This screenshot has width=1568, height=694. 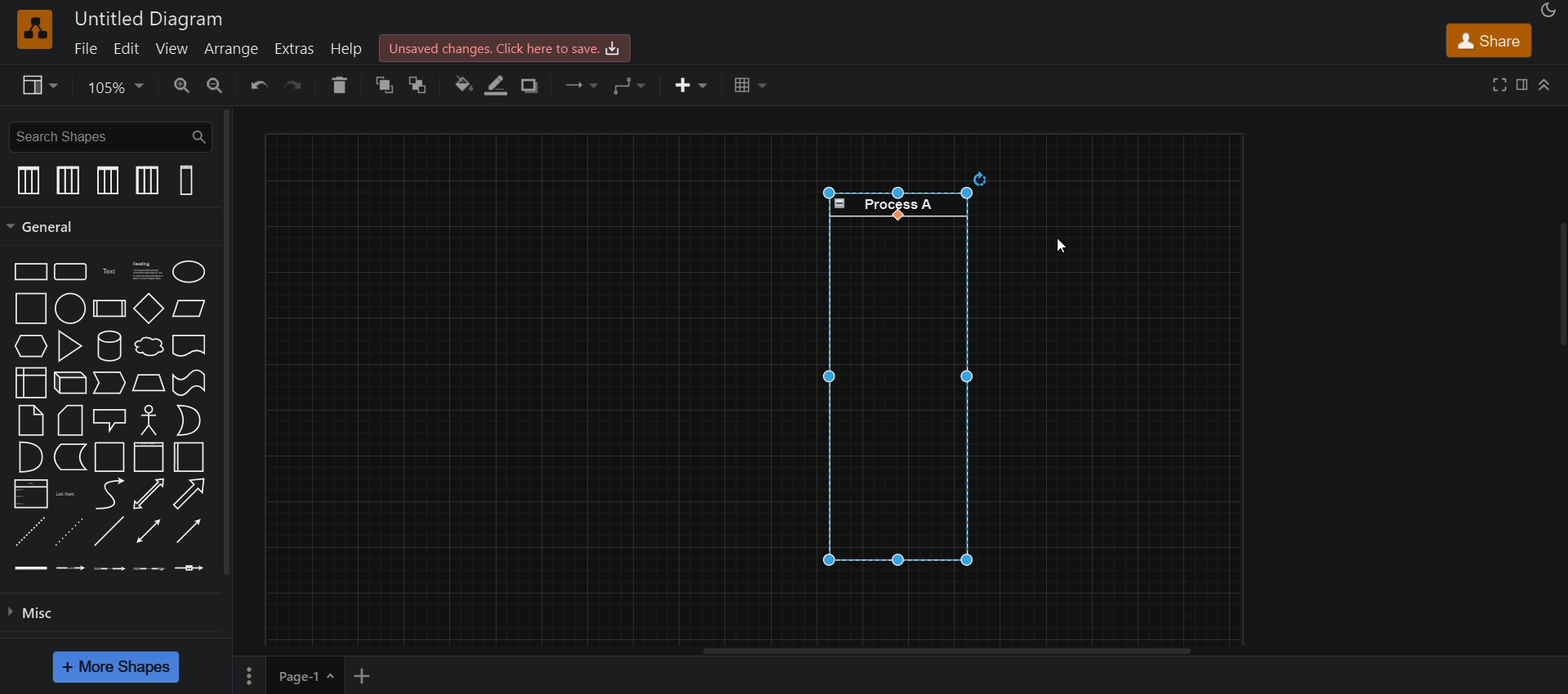 I want to click on vertical pool 2, so click(x=145, y=181).